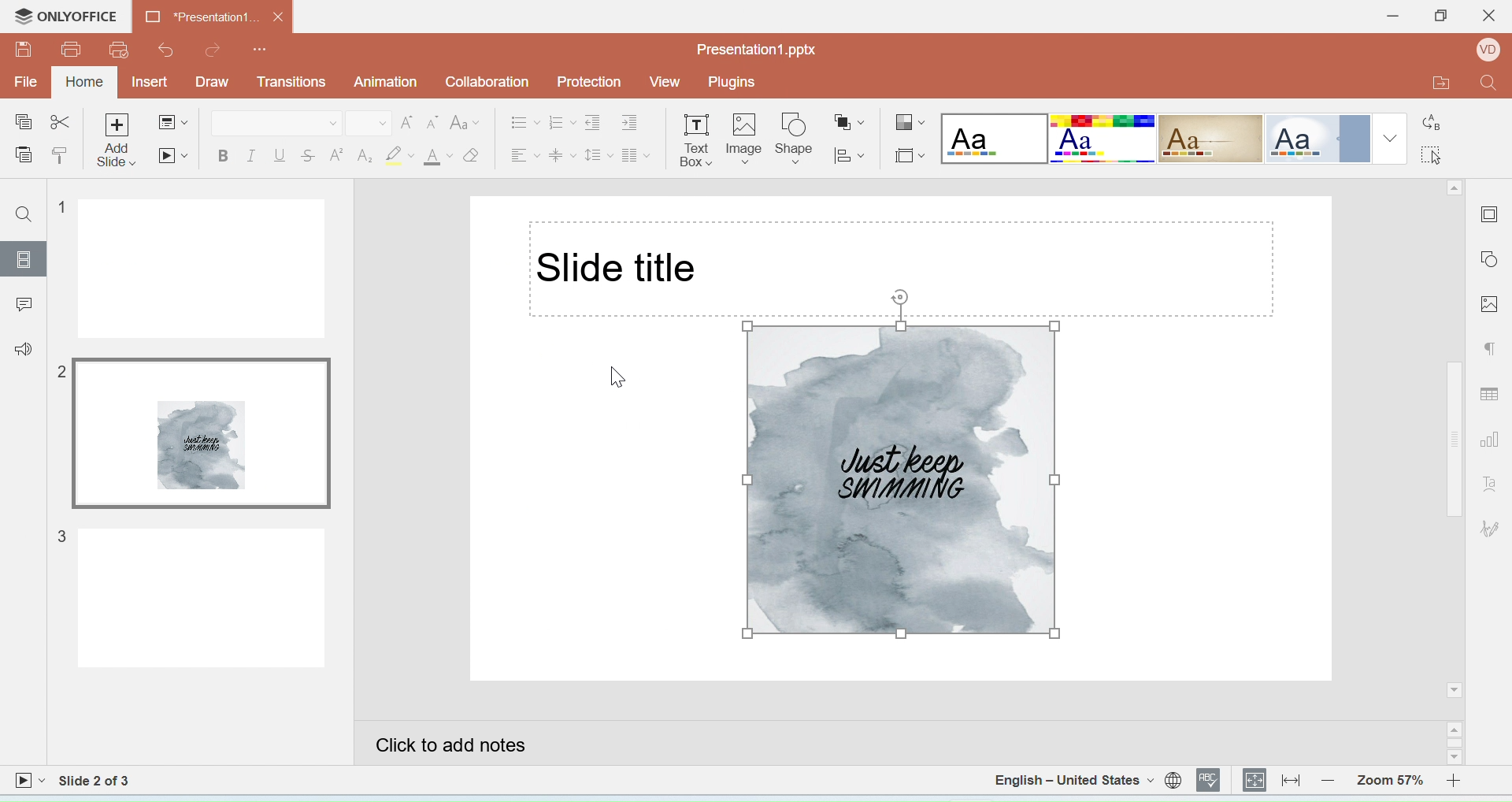  I want to click on Strikethrough, so click(309, 154).